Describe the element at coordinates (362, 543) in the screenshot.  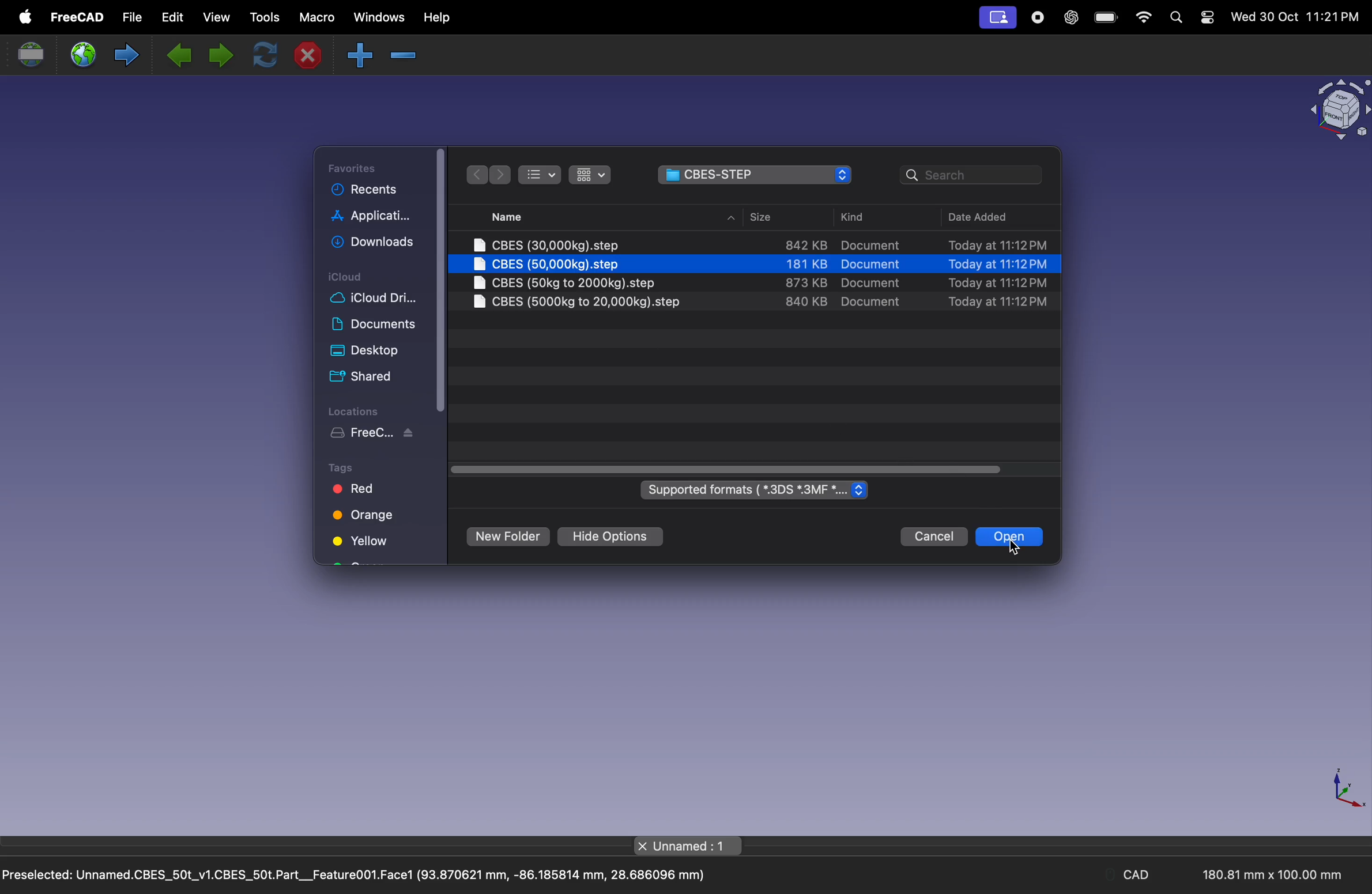
I see `yellow` at that location.